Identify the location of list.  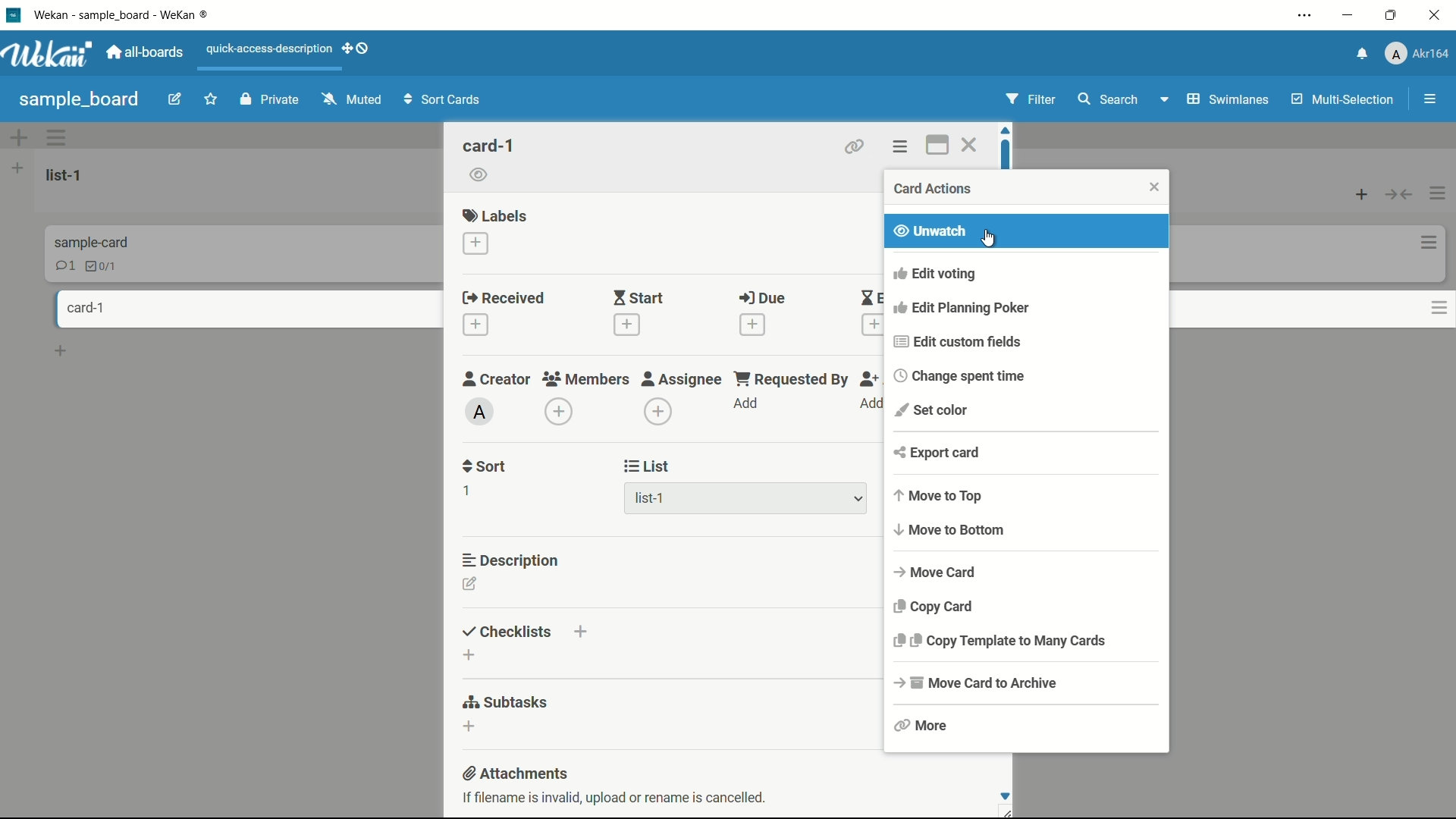
(648, 466).